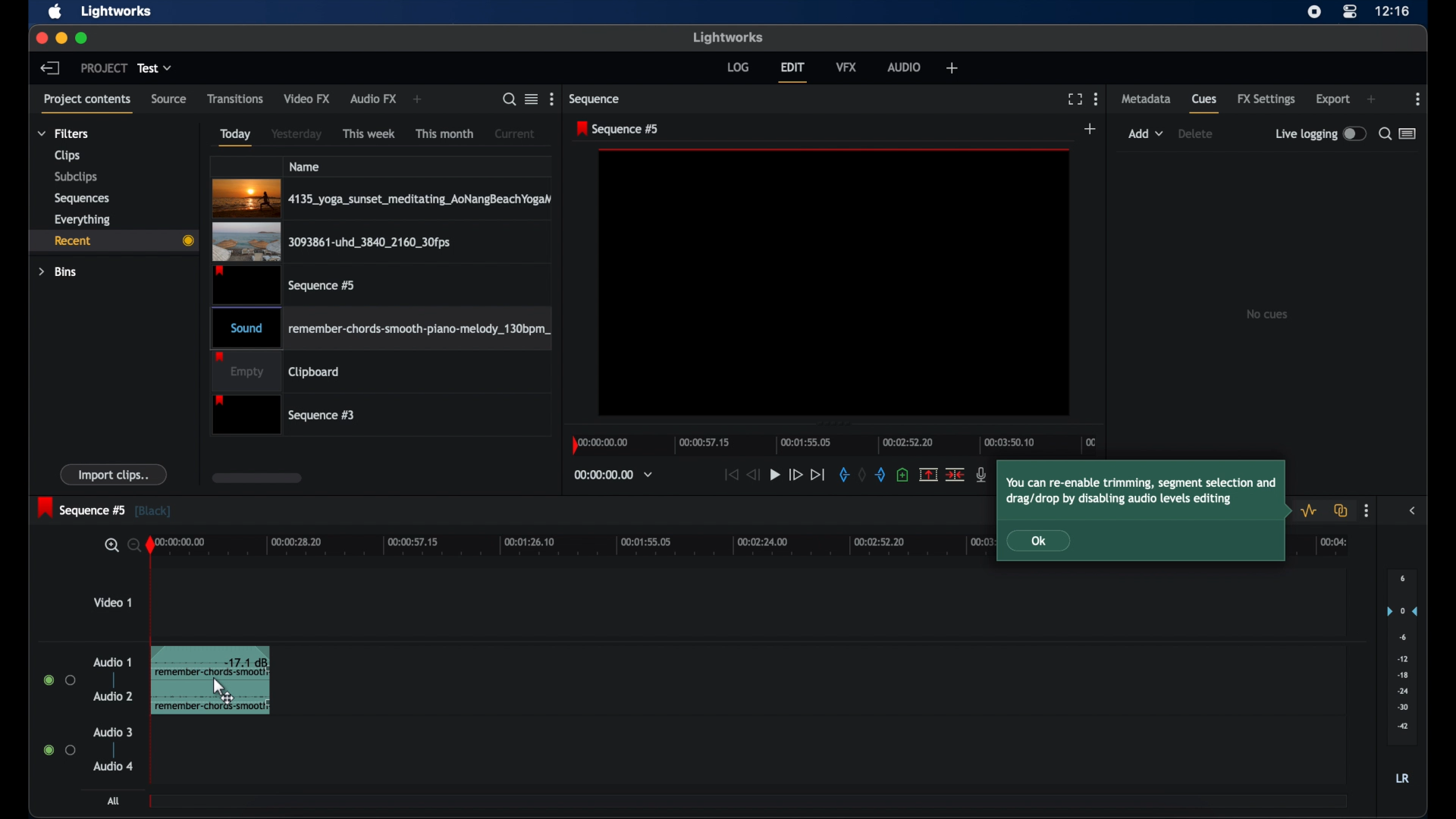 Image resolution: width=1456 pixels, height=819 pixels. I want to click on transitions, so click(235, 99).